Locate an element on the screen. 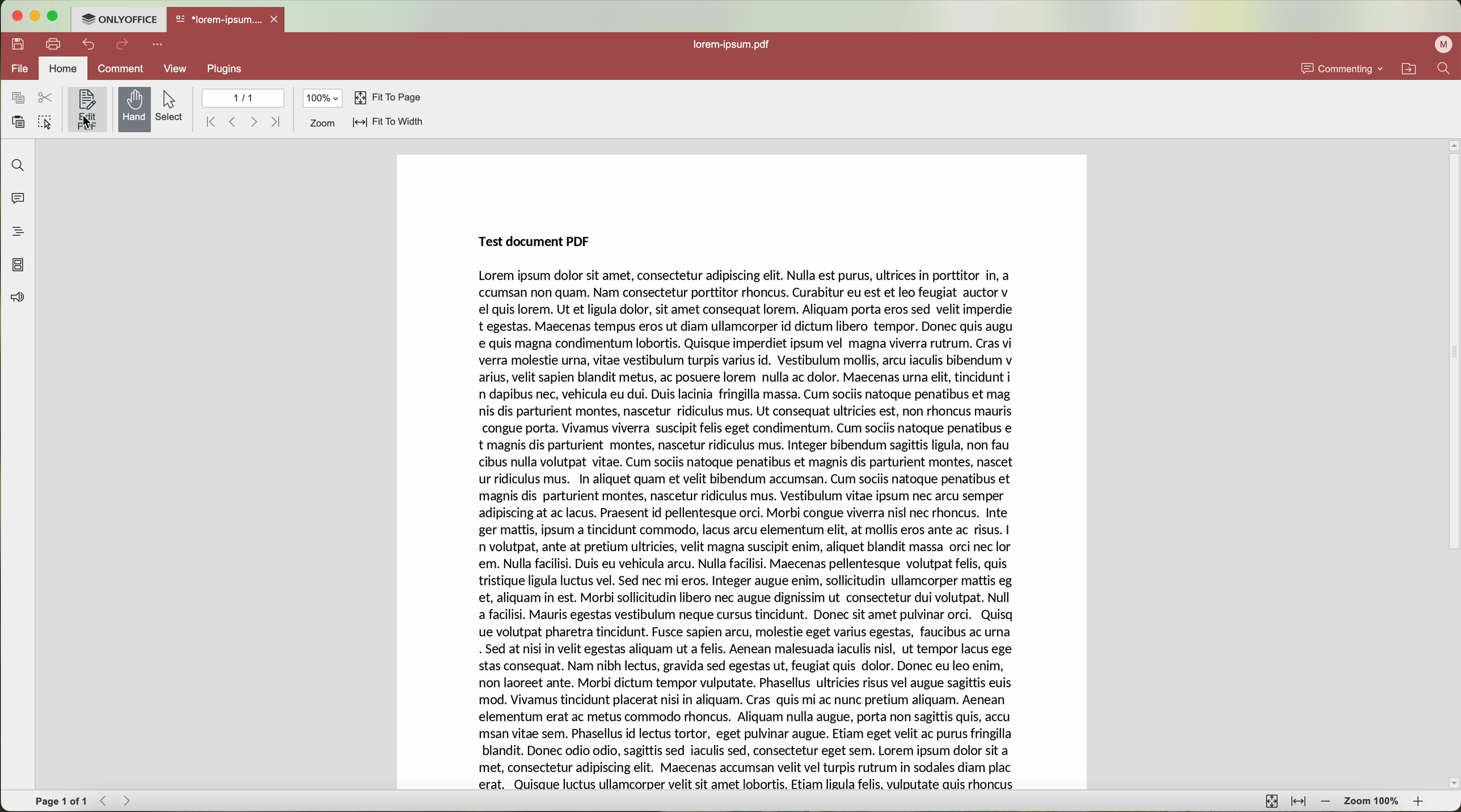 The image size is (1461, 812). open file location is located at coordinates (1409, 69).